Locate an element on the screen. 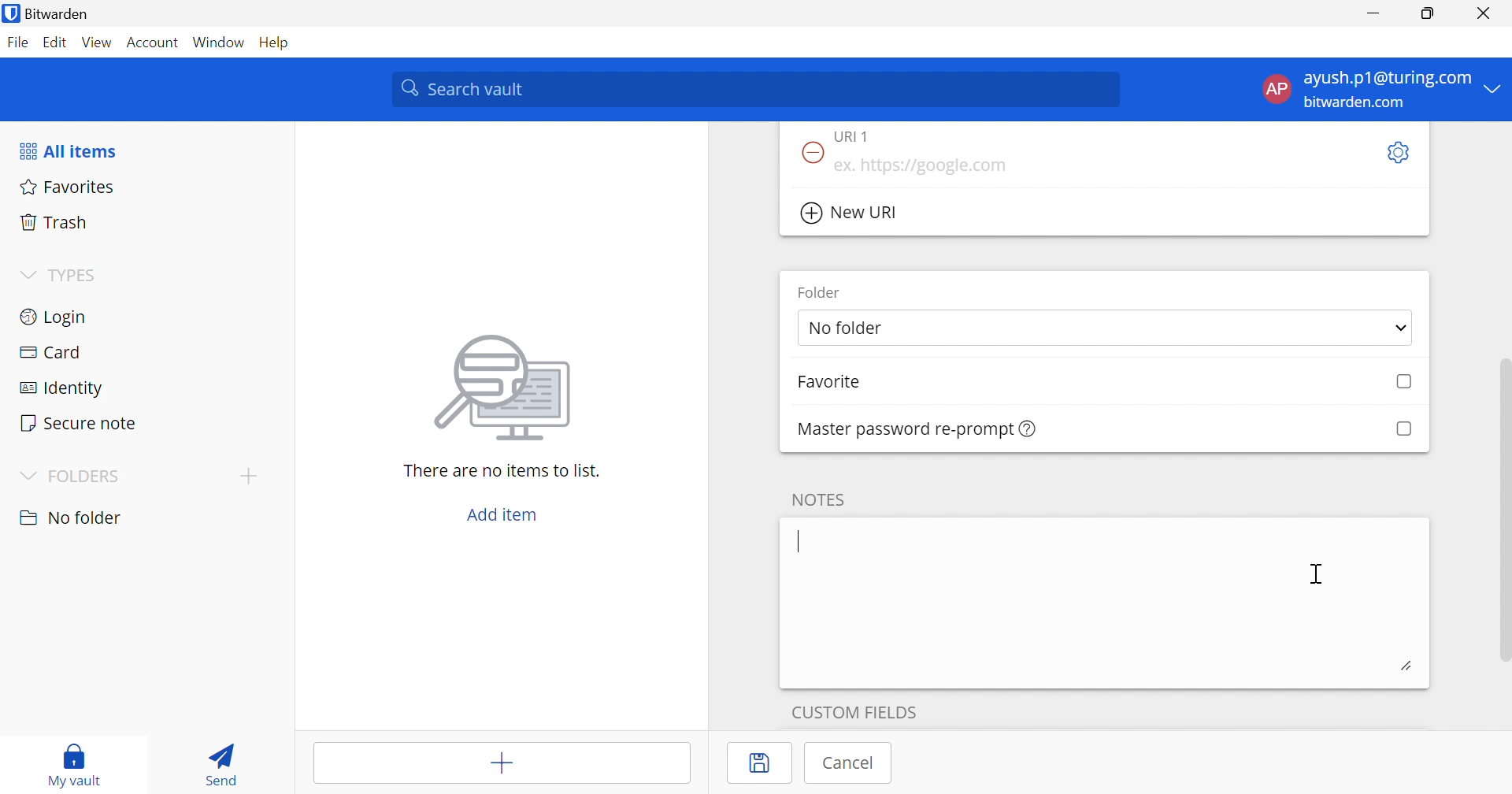 The width and height of the screenshot is (1512, 794). Close is located at coordinates (1487, 13).